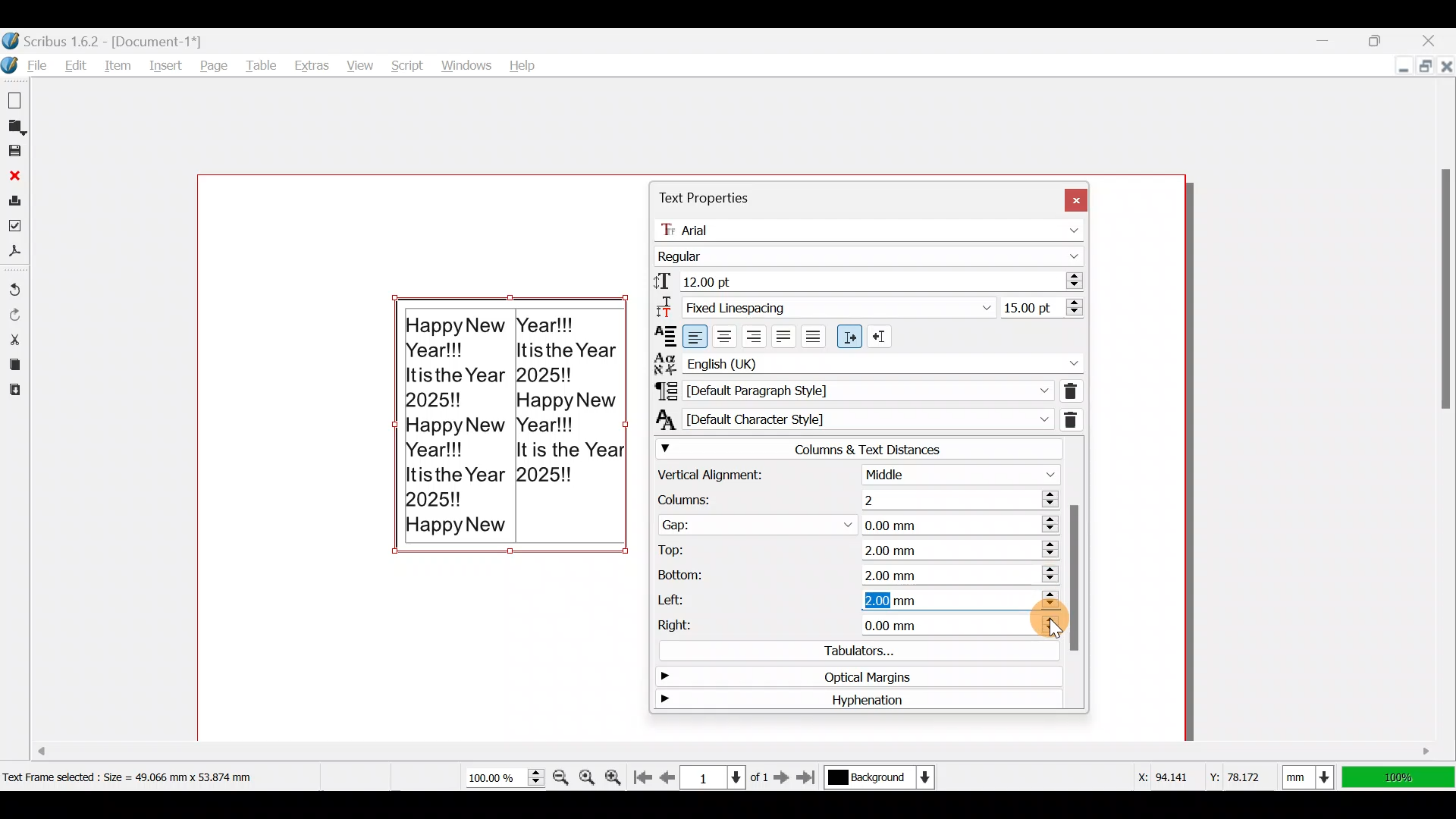 This screenshot has width=1456, height=819. I want to click on Close, so click(1075, 198).